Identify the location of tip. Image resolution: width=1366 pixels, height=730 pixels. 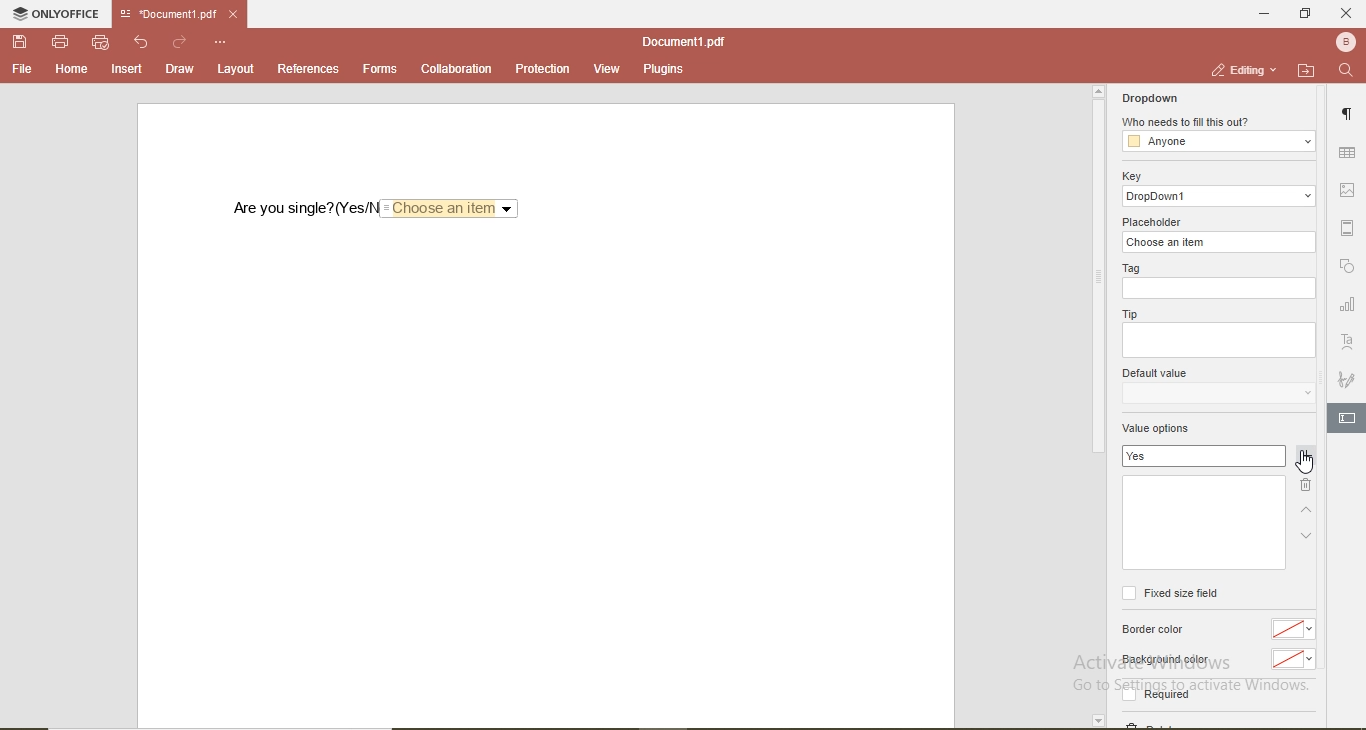
(1129, 313).